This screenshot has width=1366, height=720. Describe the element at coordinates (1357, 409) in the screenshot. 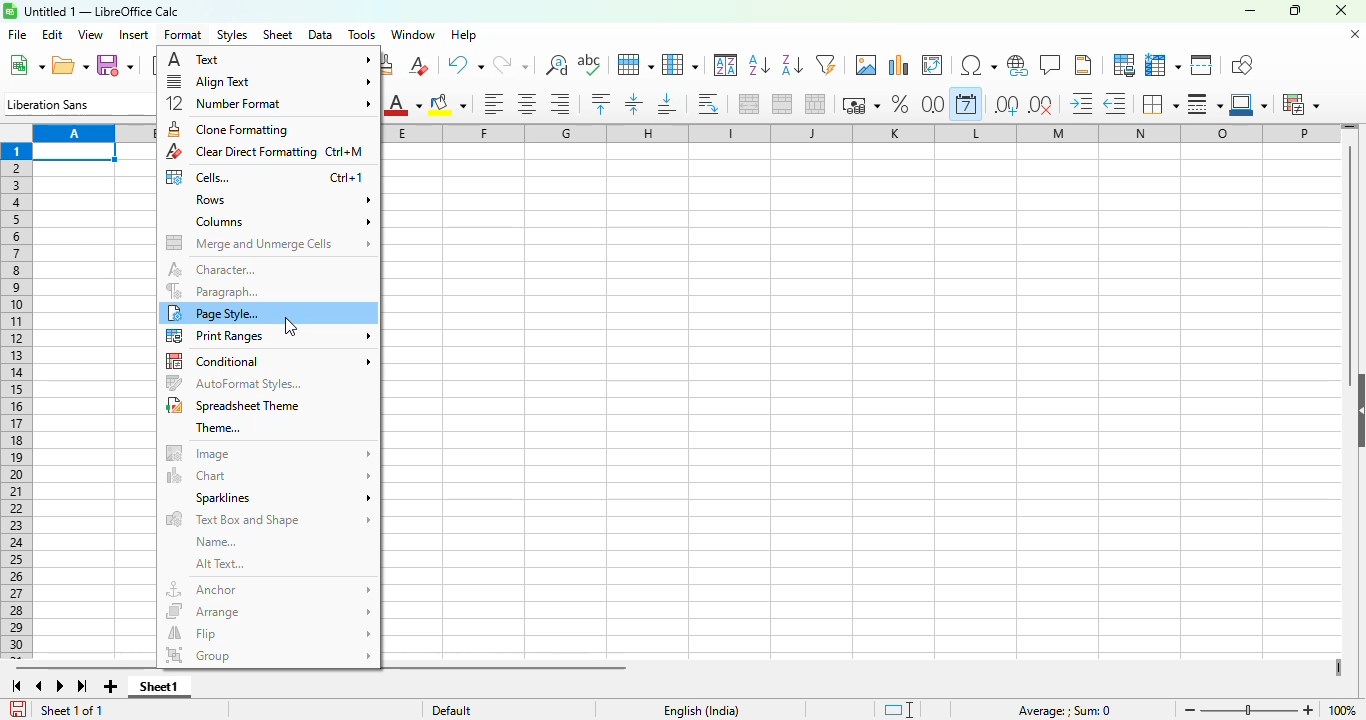

I see `show` at that location.